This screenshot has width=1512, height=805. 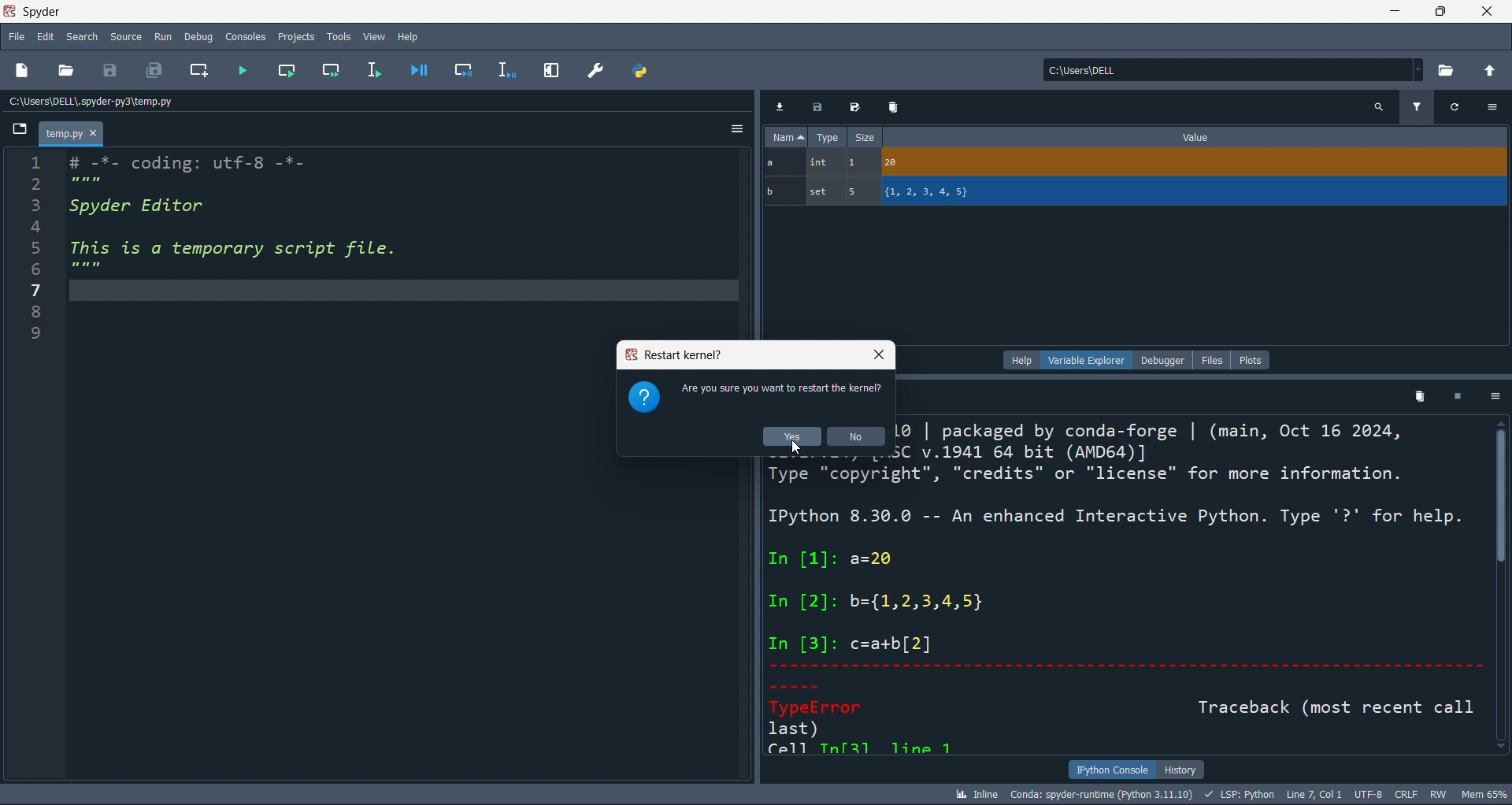 What do you see at coordinates (110, 72) in the screenshot?
I see `save` at bounding box center [110, 72].